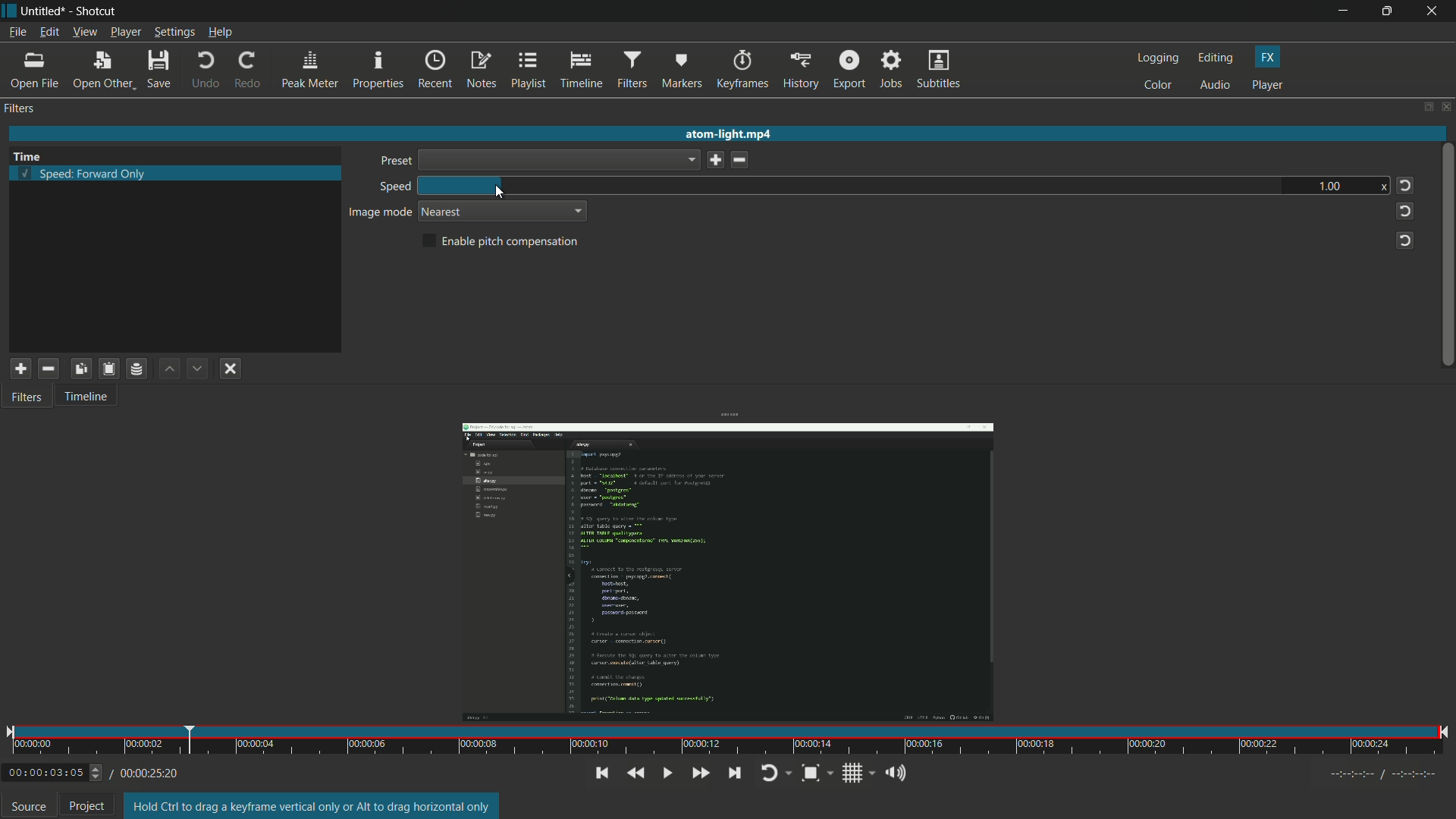  I want to click on reset to default, so click(1404, 210).